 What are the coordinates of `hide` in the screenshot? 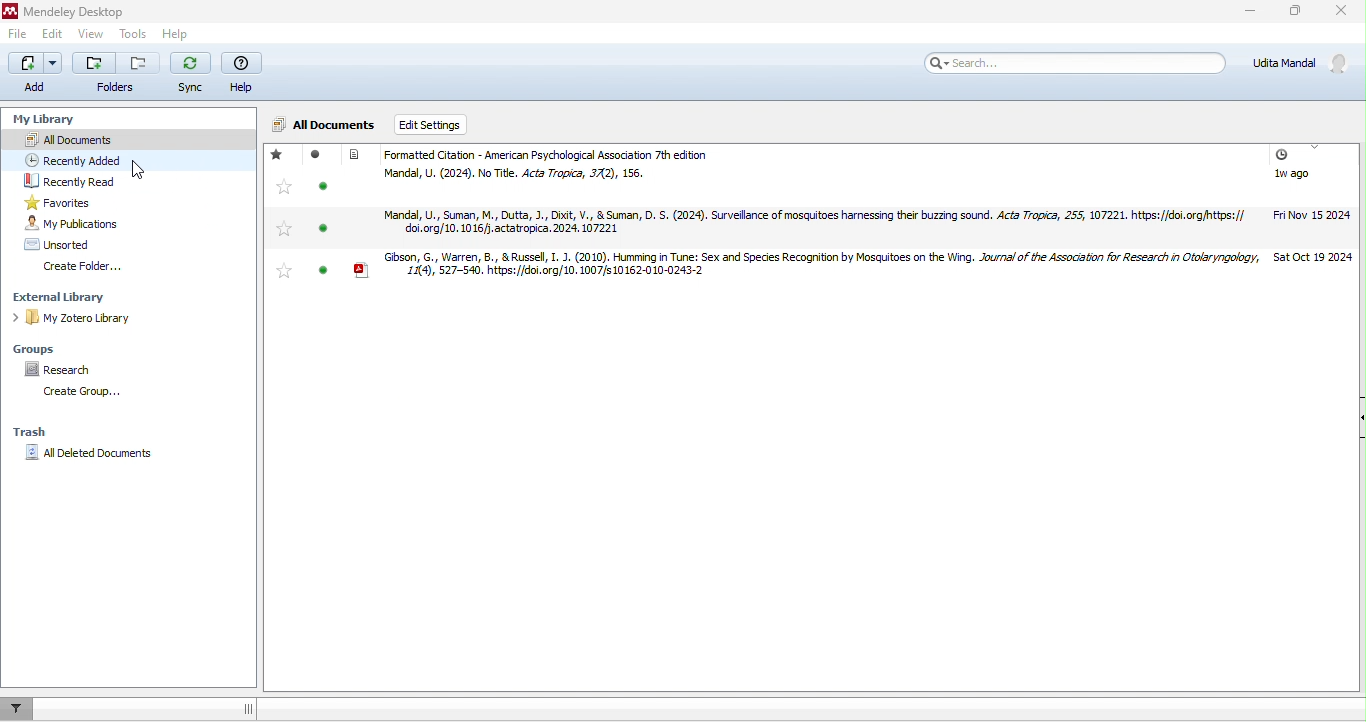 It's located at (1357, 419).